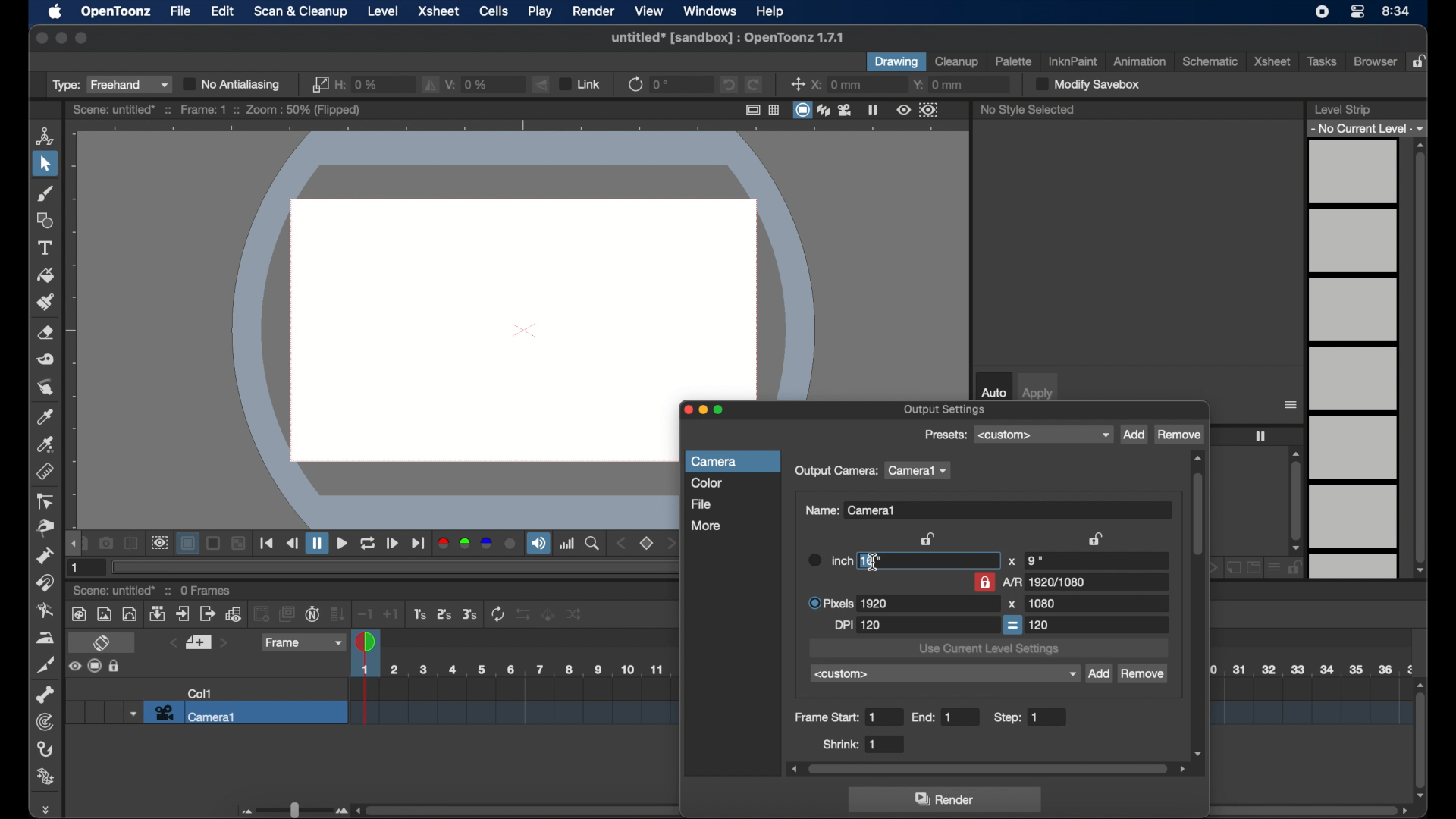  What do you see at coordinates (852, 510) in the screenshot?
I see `name` at bounding box center [852, 510].